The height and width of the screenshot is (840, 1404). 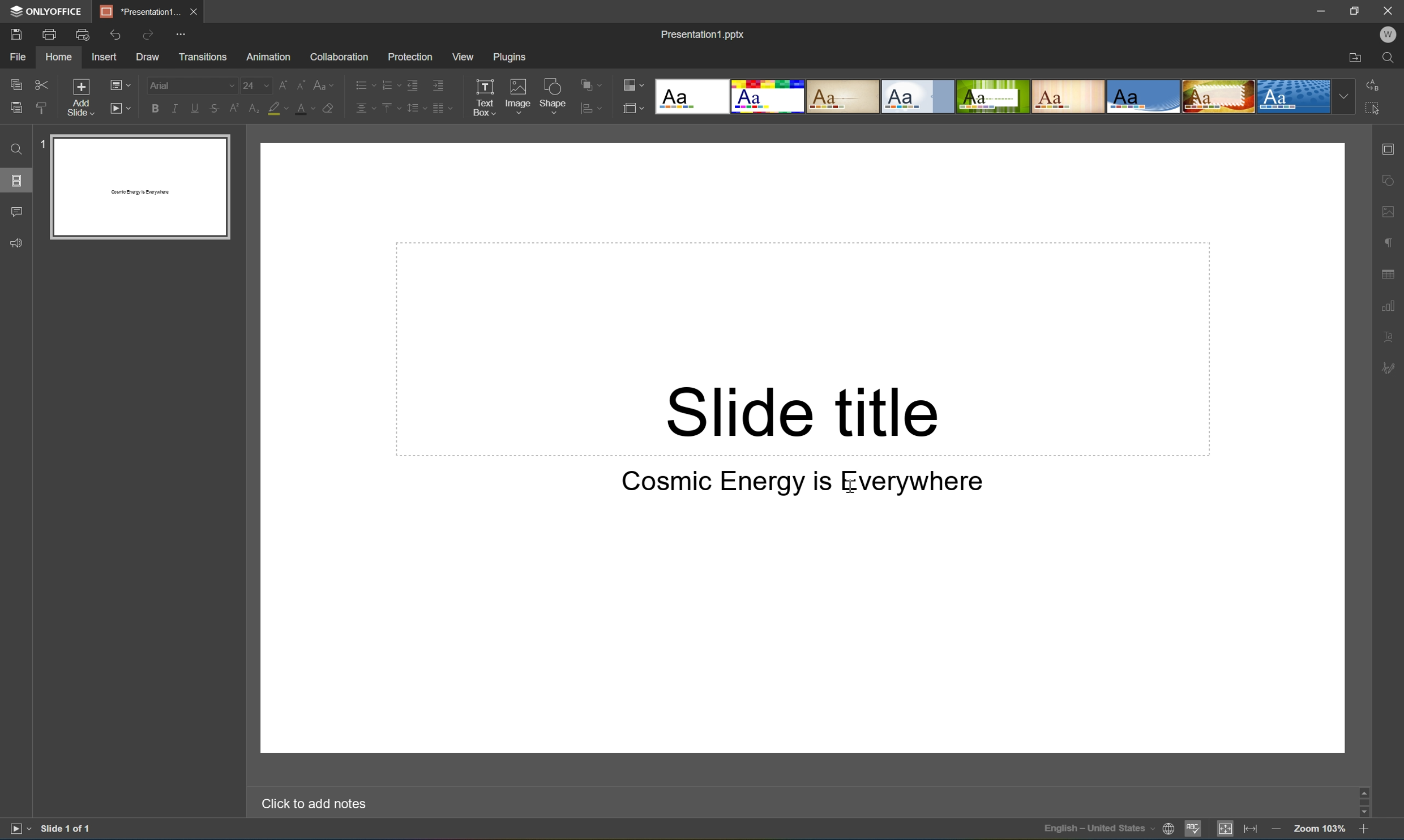 What do you see at coordinates (83, 33) in the screenshot?
I see `Quick print` at bounding box center [83, 33].